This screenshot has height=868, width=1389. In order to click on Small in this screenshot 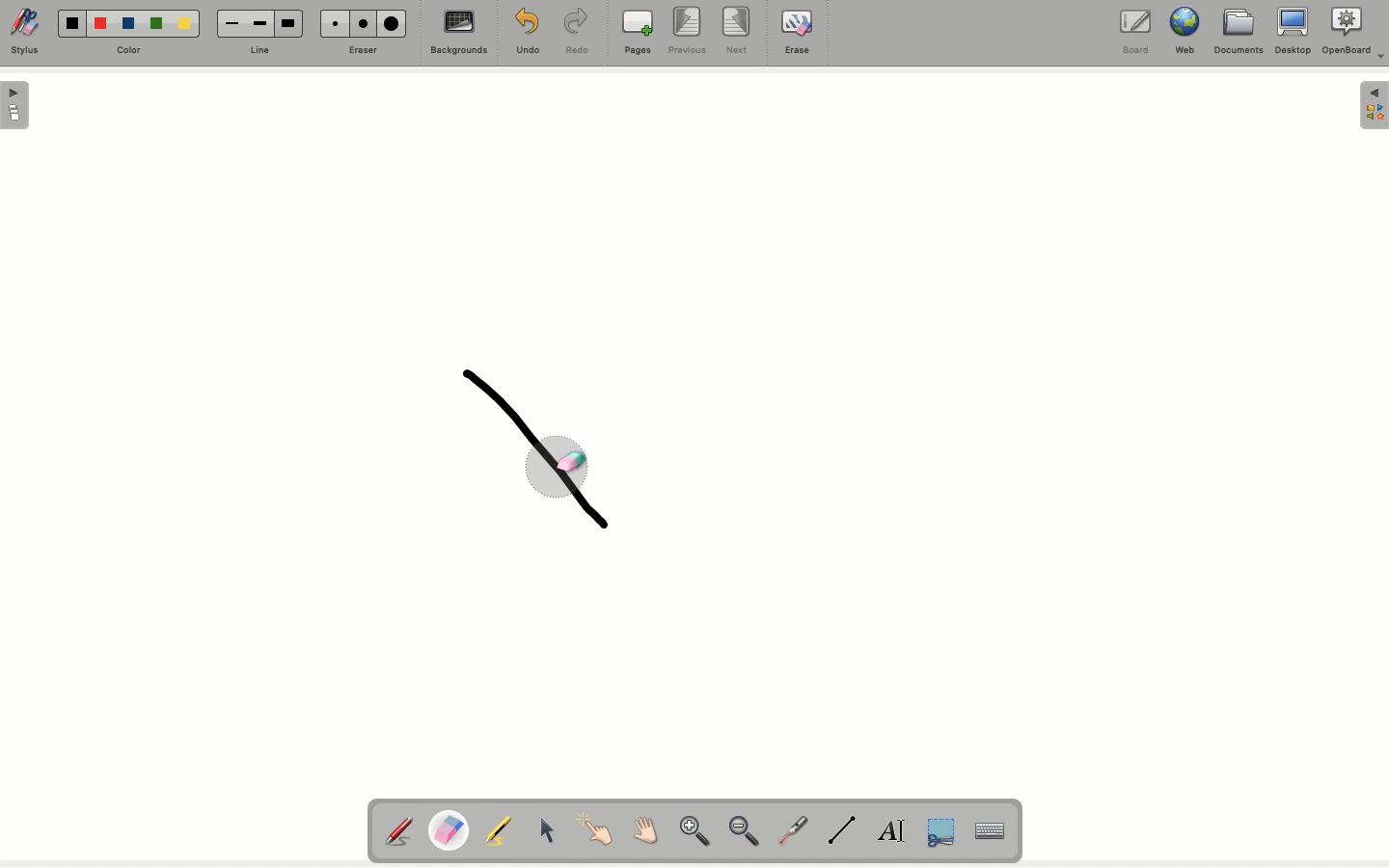, I will do `click(233, 23)`.